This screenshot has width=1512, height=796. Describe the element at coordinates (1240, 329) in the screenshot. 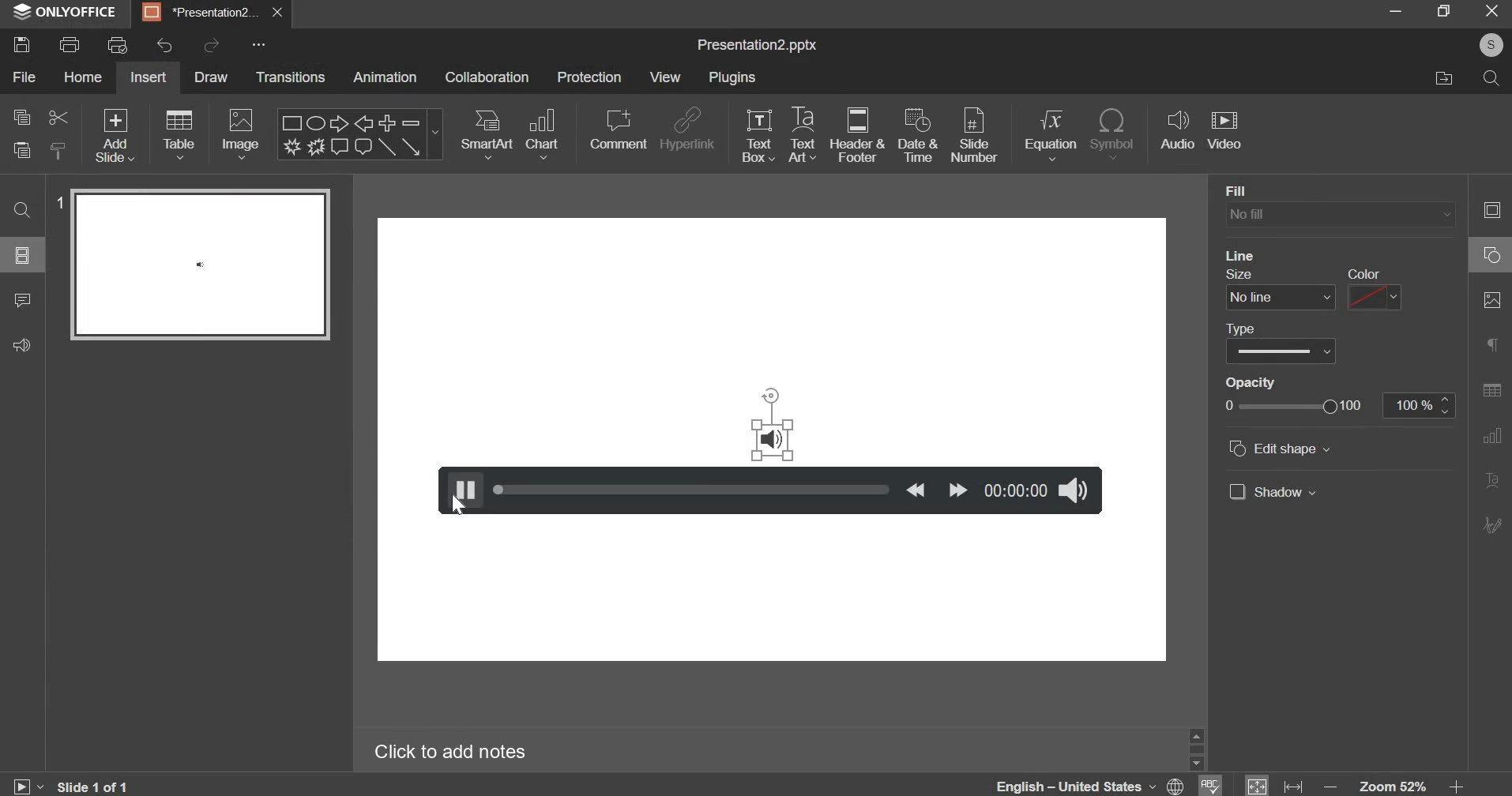

I see `type` at that location.